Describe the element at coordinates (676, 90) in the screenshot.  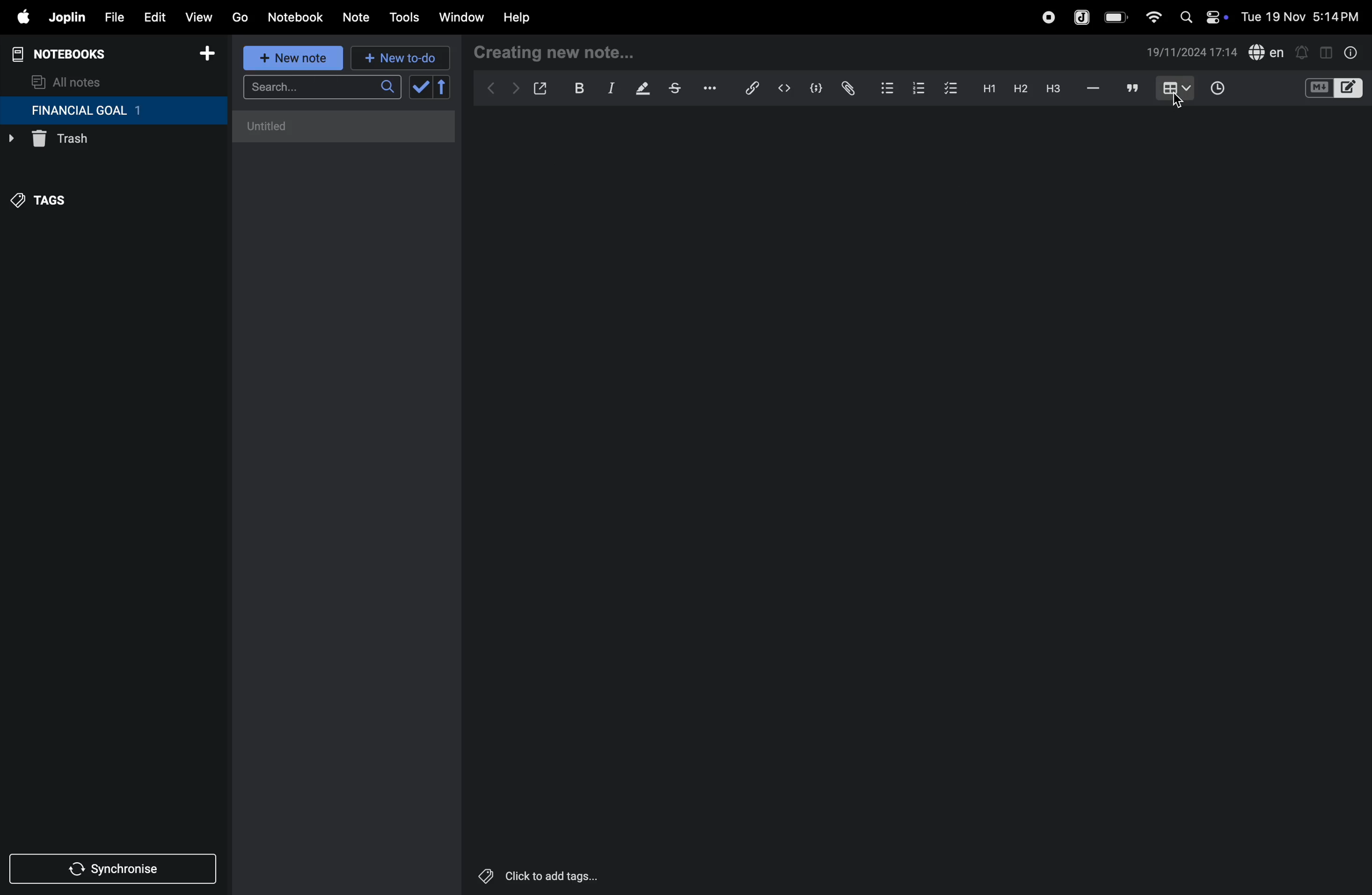
I see `stketchbook` at that location.